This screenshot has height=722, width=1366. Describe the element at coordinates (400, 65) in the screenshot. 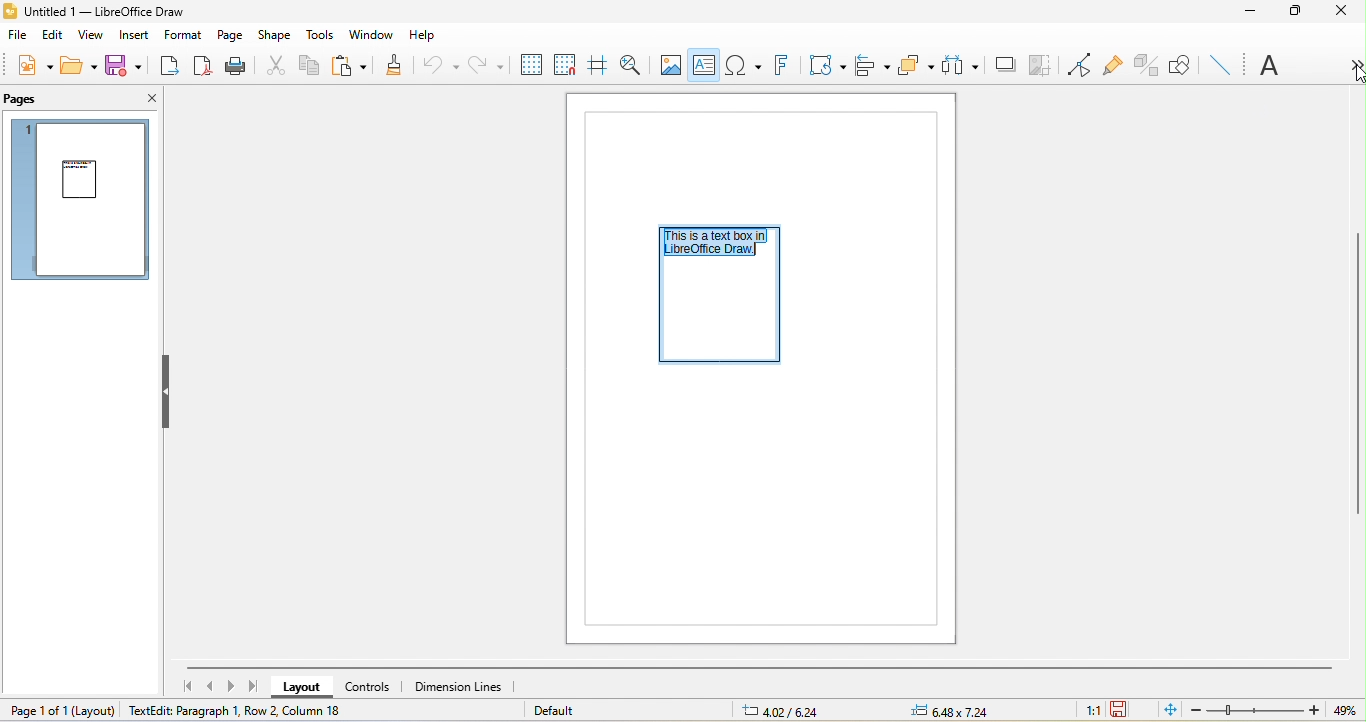

I see `clone formatting` at that location.